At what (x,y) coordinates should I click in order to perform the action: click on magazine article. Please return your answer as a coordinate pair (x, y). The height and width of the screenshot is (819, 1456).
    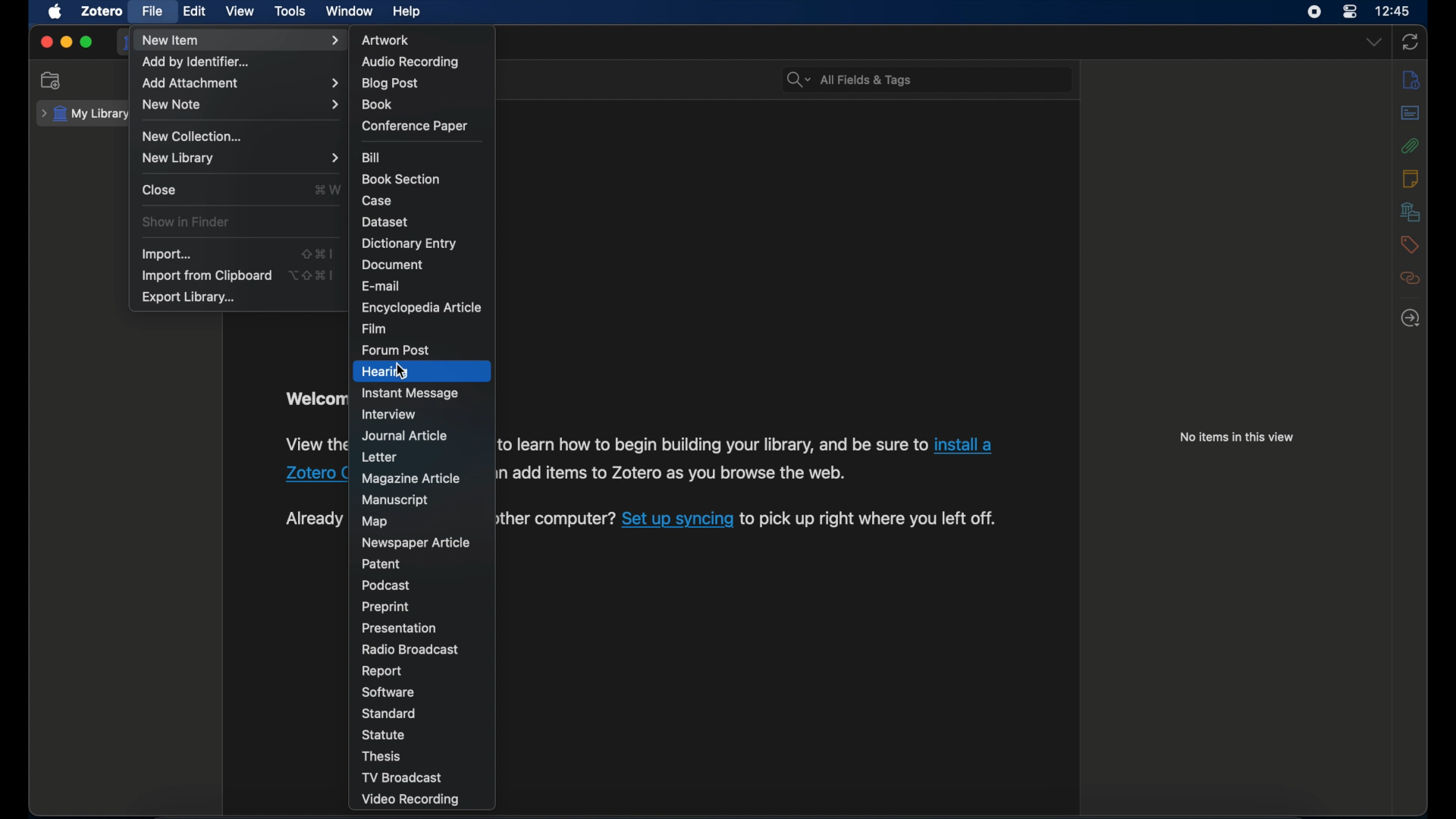
    Looking at the image, I should click on (411, 478).